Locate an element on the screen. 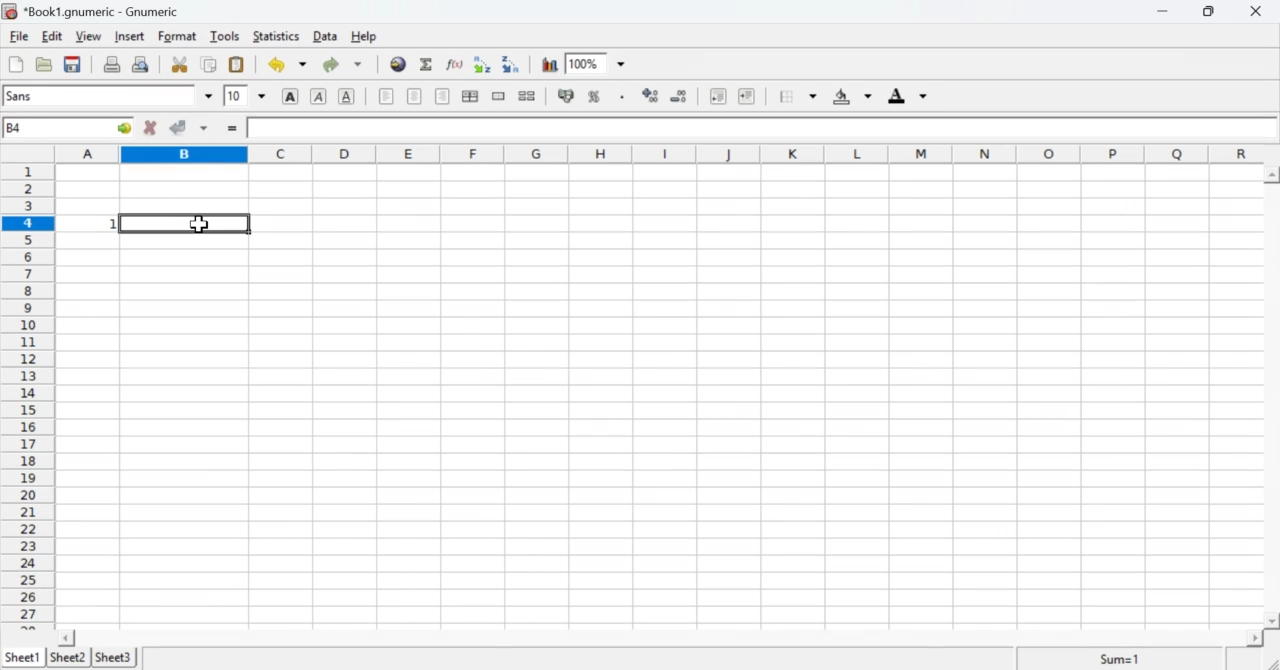  Active Cell is located at coordinates (67, 128).